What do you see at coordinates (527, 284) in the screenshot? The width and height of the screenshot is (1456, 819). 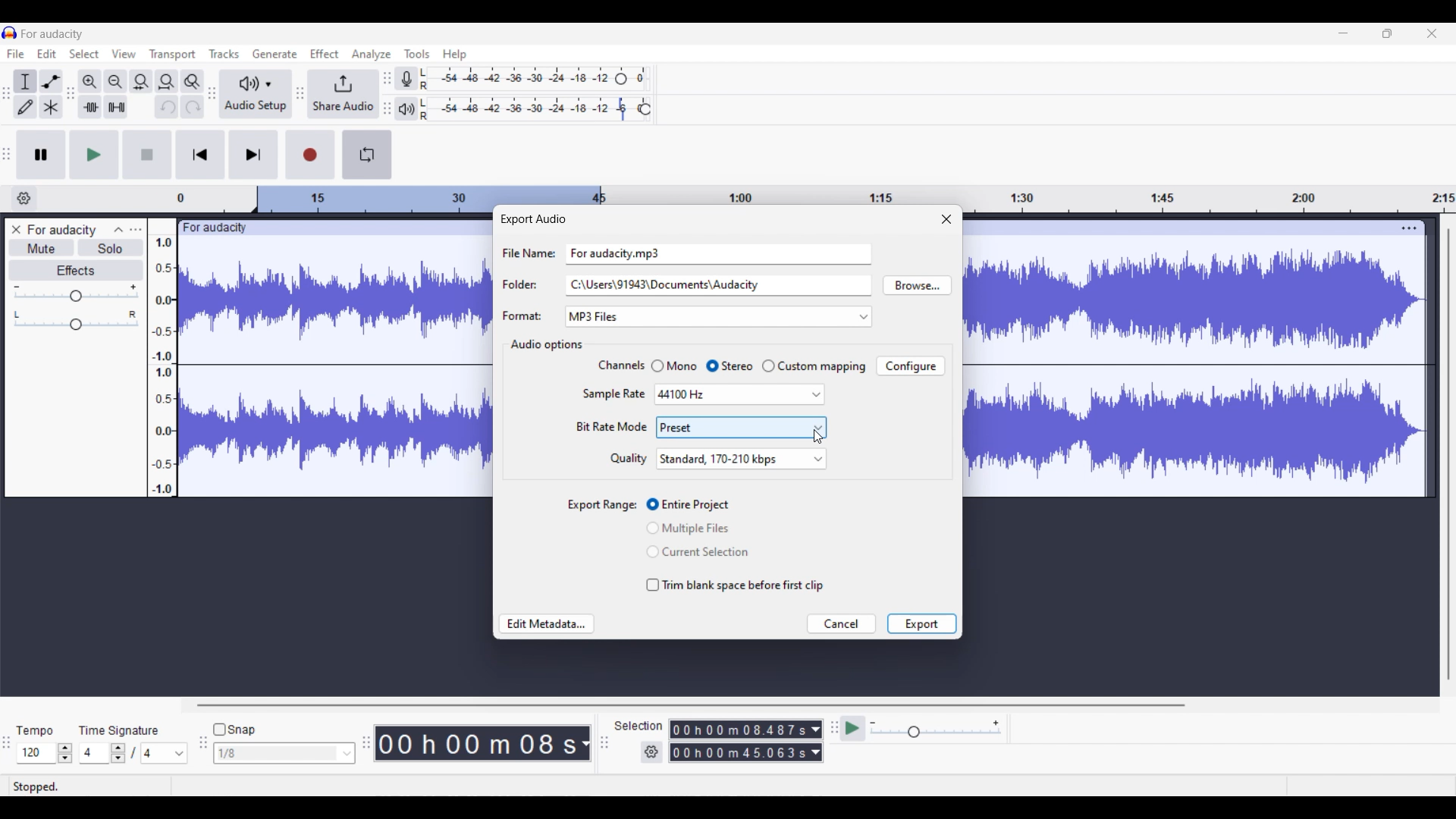 I see `Indicates text box for respective setting options` at bounding box center [527, 284].